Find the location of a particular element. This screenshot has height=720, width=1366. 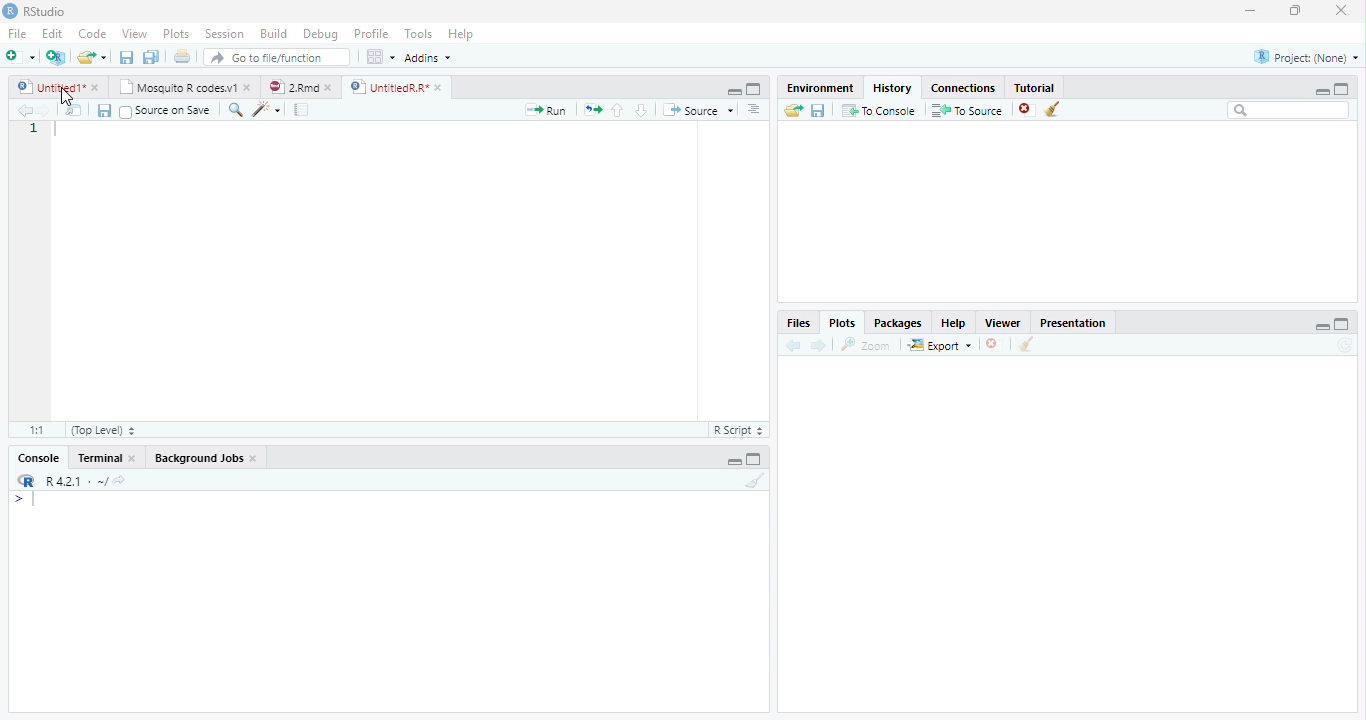

Tutorial is located at coordinates (1036, 86).